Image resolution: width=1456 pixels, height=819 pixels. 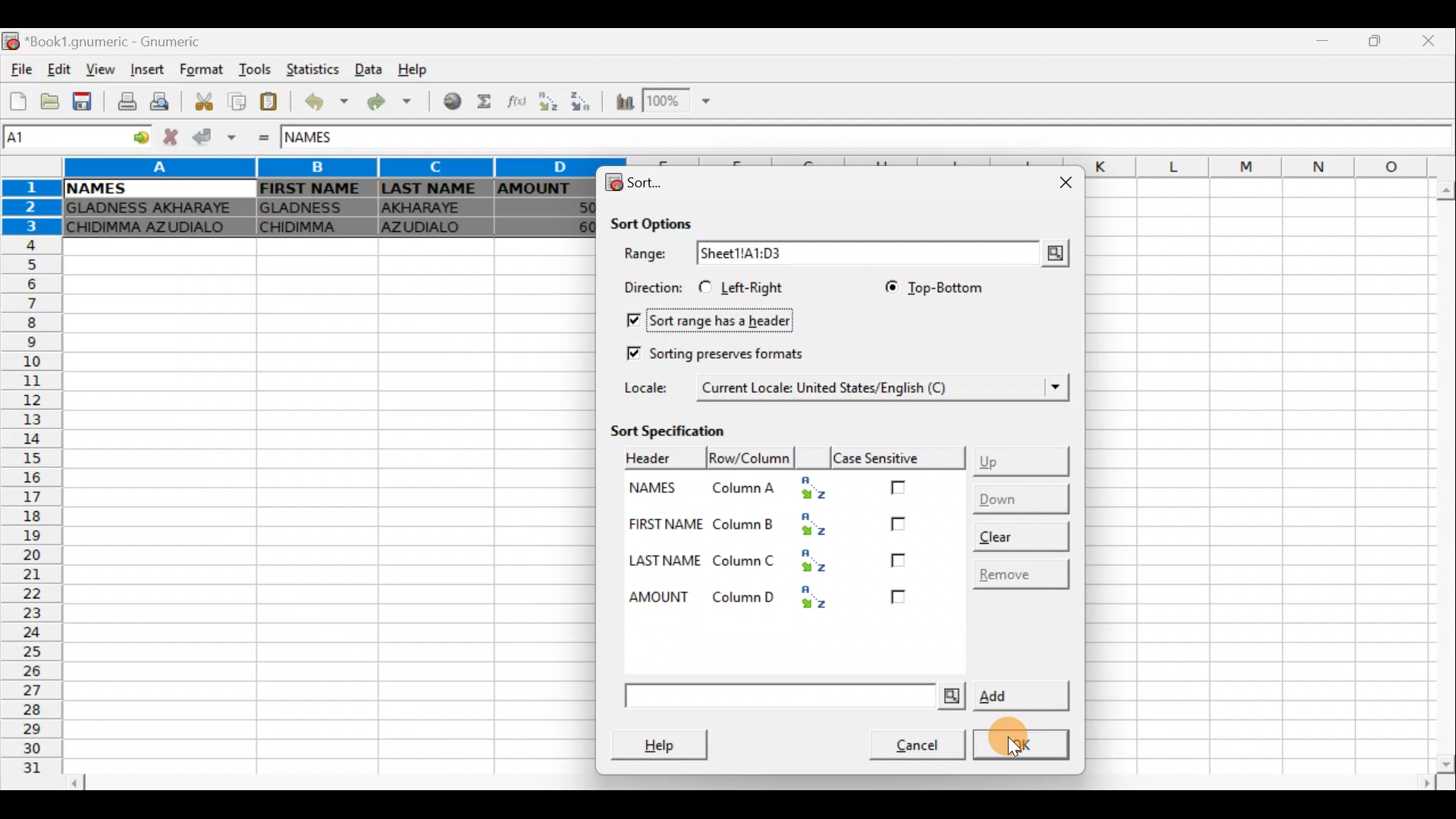 I want to click on Locale dropdown, so click(x=1047, y=388).